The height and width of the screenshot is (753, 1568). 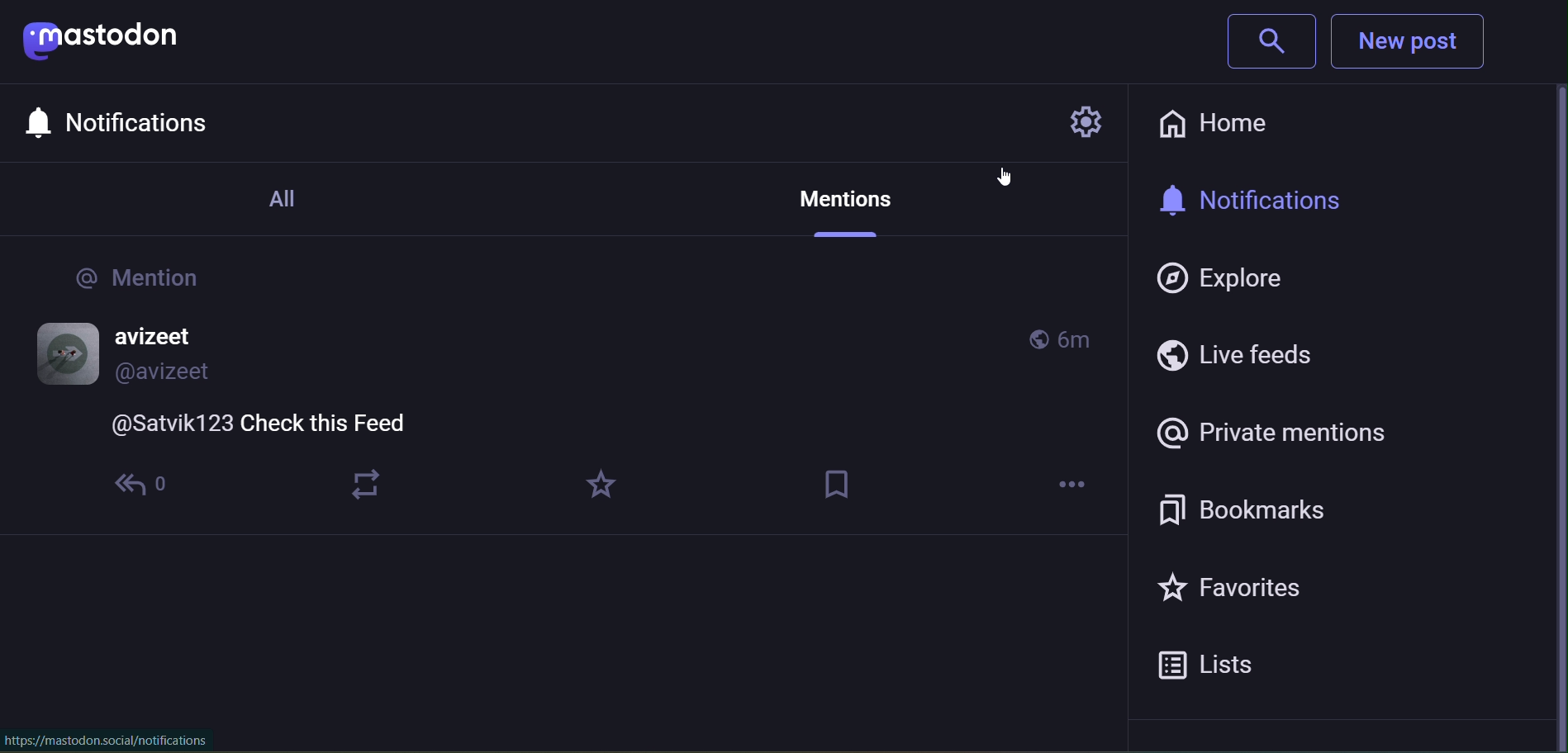 What do you see at coordinates (105, 741) in the screenshot?
I see `https://mastodon.social/notifications` at bounding box center [105, 741].